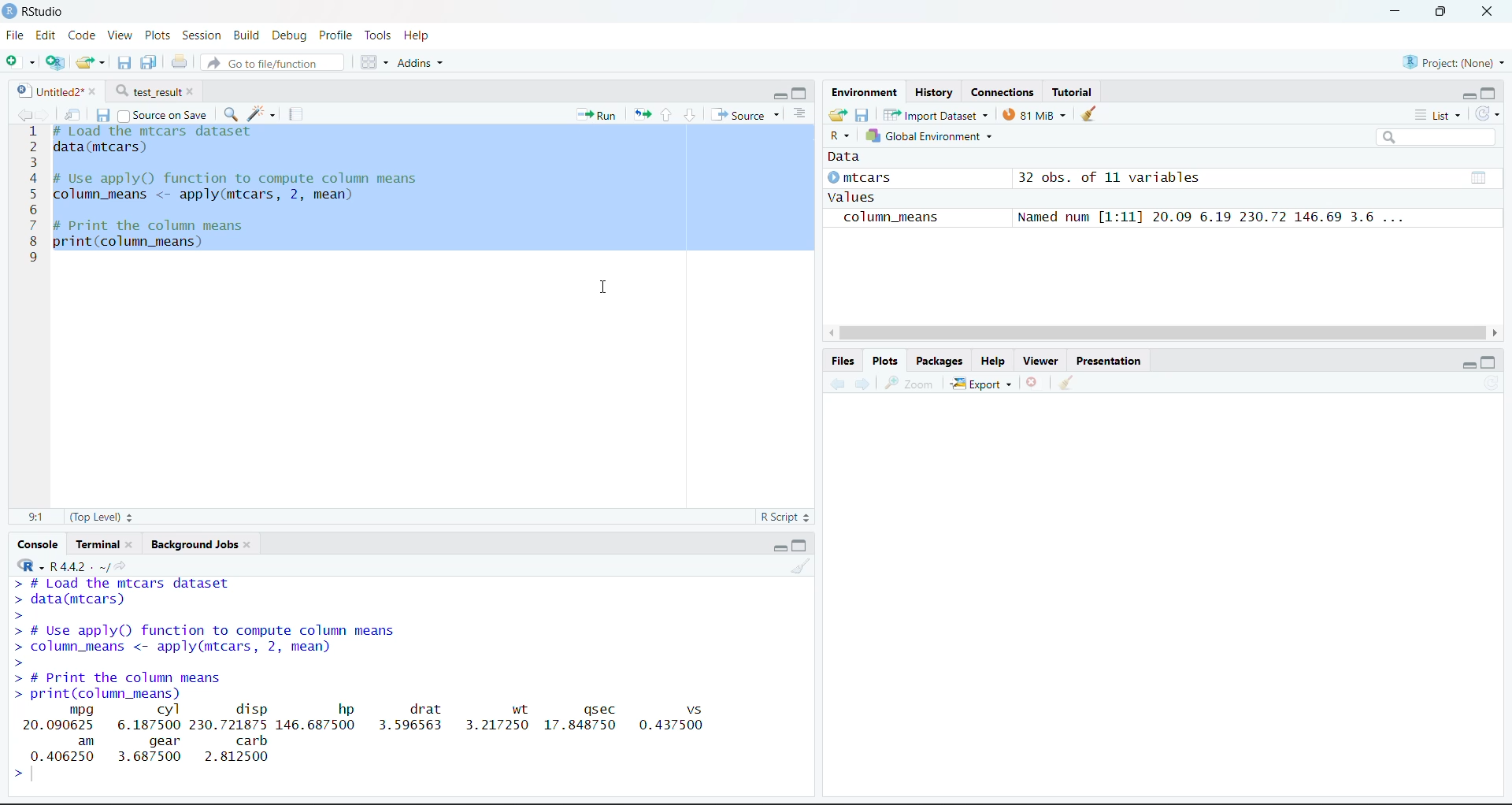 The height and width of the screenshot is (805, 1512). Describe the element at coordinates (839, 383) in the screenshot. I see `Go back to the previous source location (Ctrl + F9)` at that location.